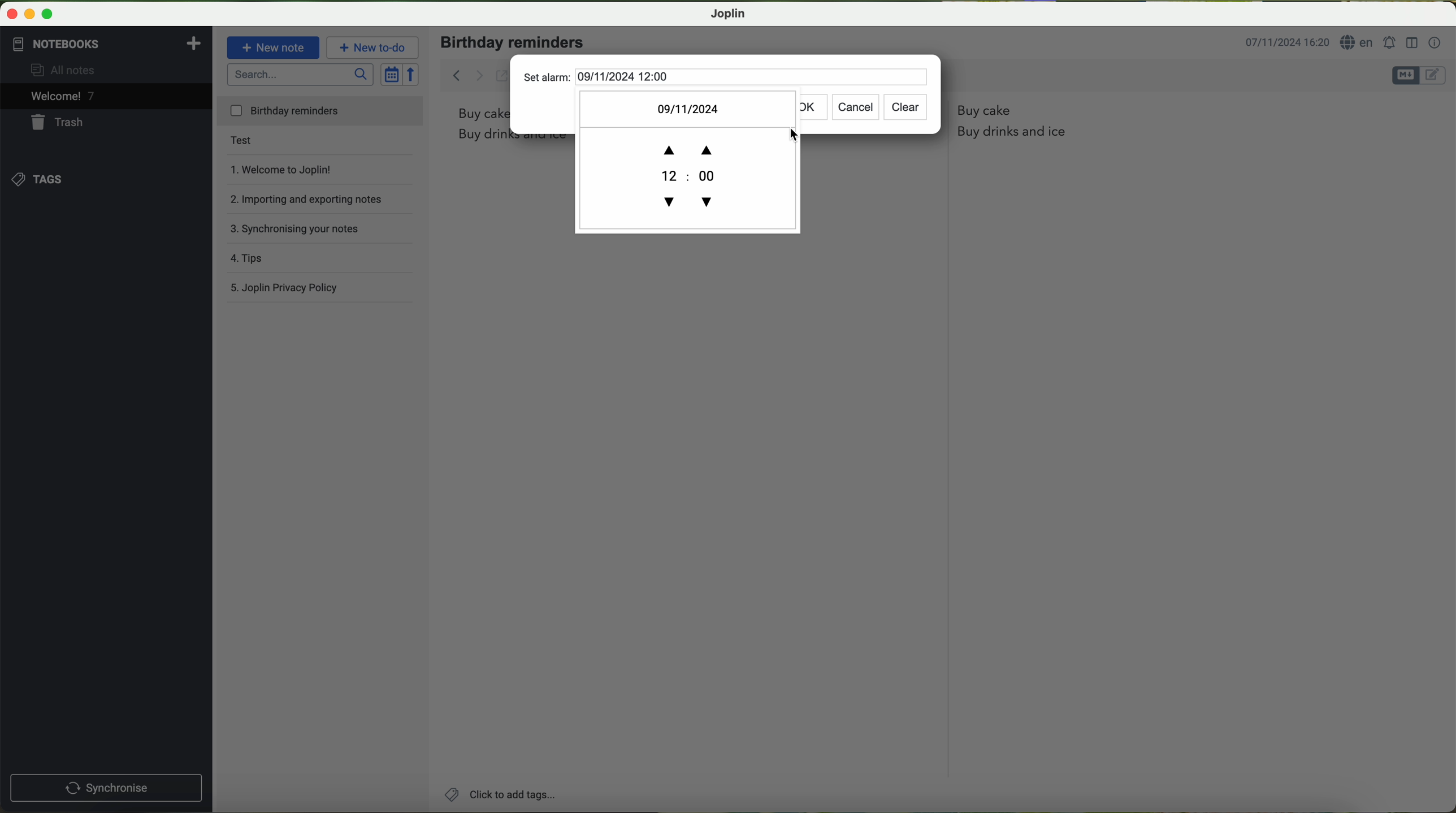 This screenshot has height=813, width=1456. Describe the element at coordinates (685, 145) in the screenshot. I see `increase` at that location.